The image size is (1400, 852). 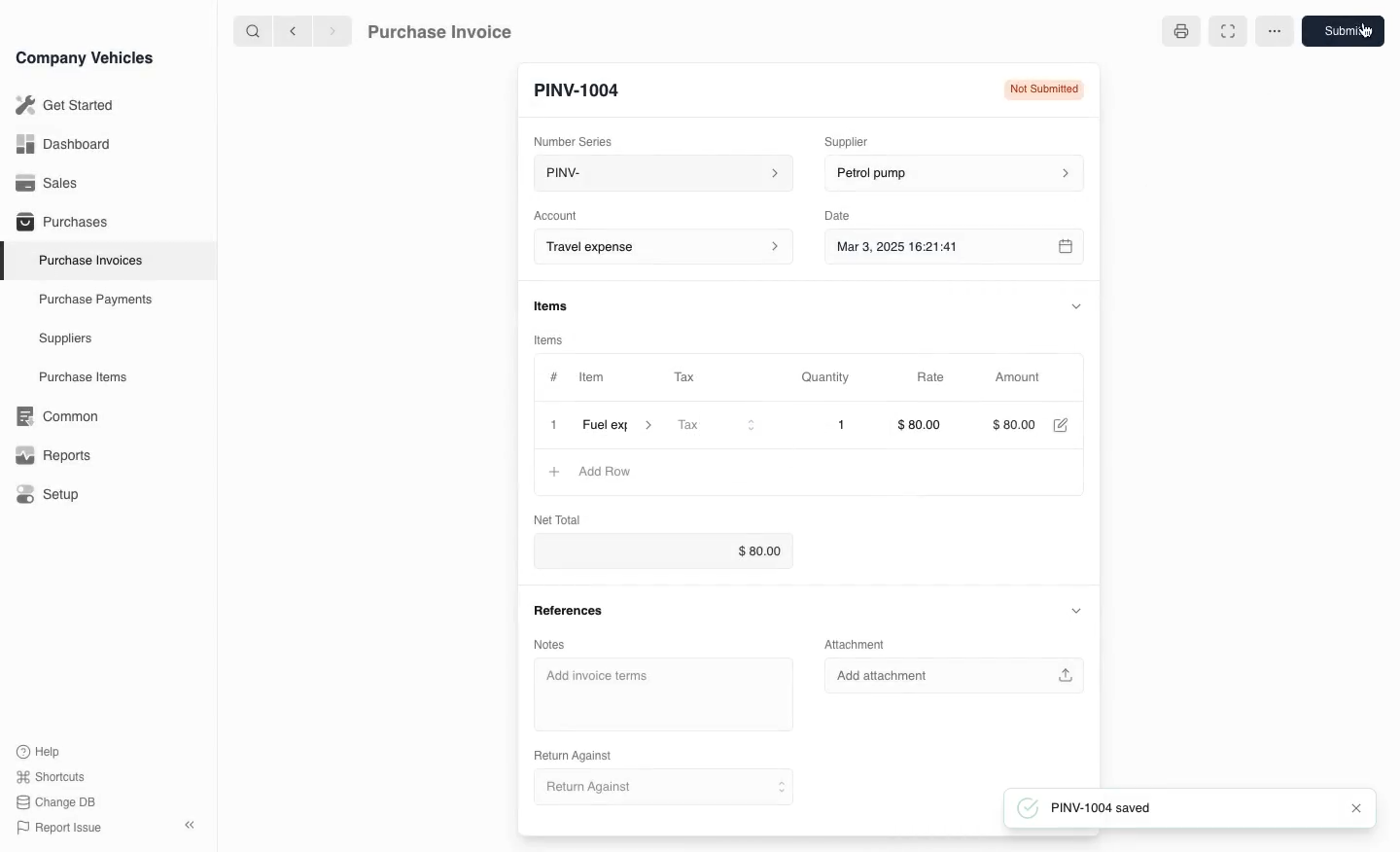 I want to click on items, so click(x=552, y=339).